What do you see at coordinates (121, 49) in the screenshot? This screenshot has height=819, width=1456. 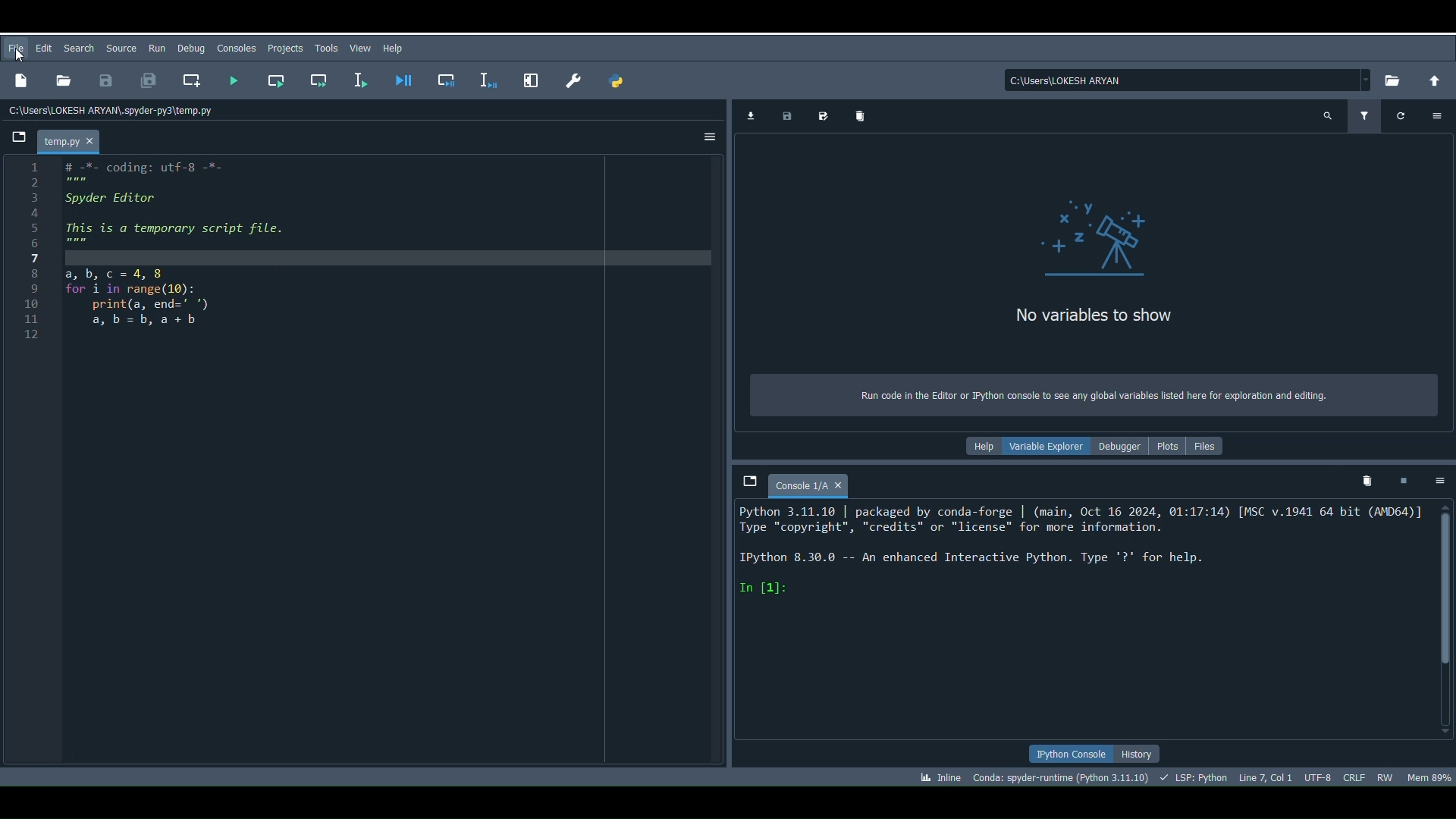 I see `Search` at bounding box center [121, 49].